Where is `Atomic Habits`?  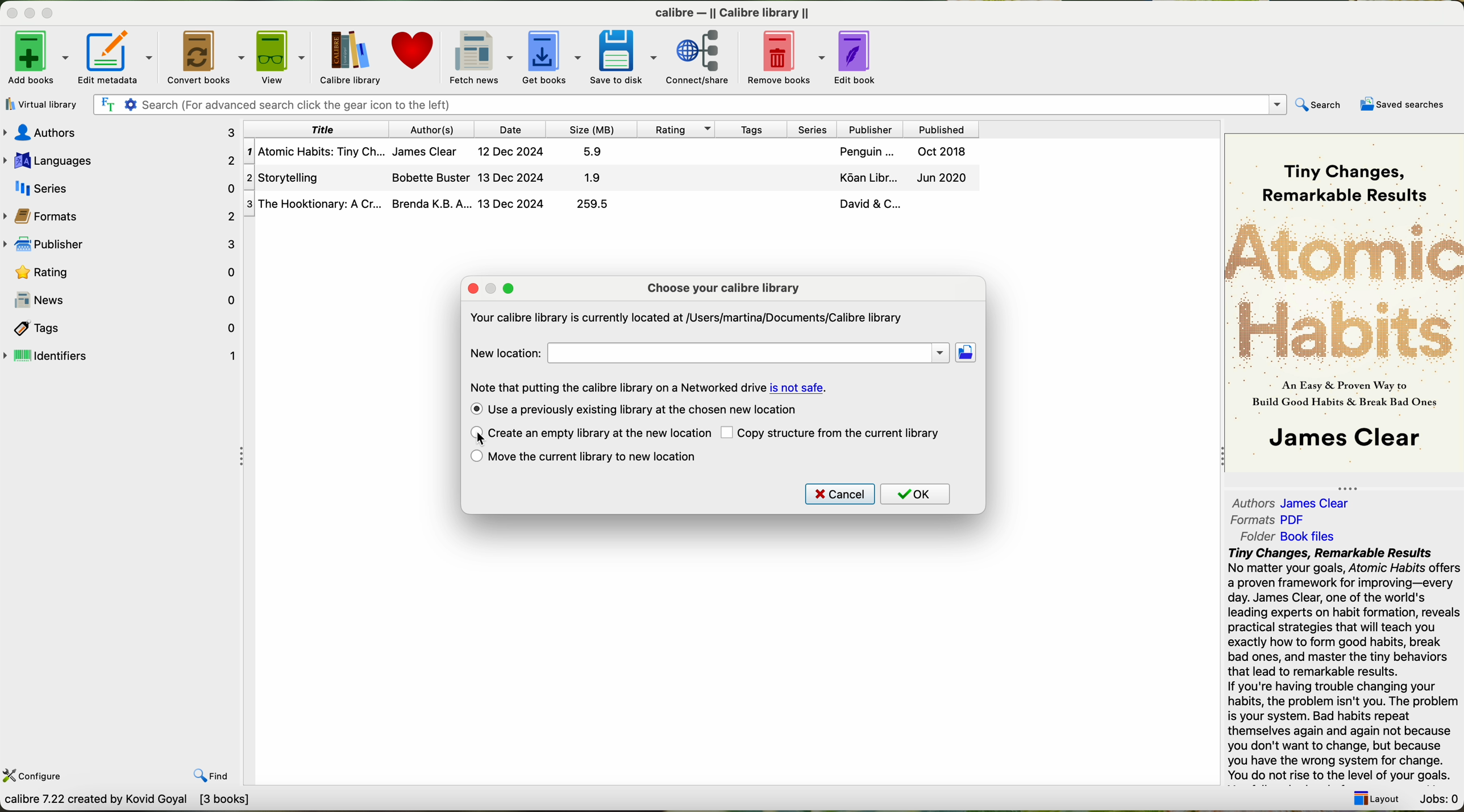 Atomic Habits is located at coordinates (1345, 289).